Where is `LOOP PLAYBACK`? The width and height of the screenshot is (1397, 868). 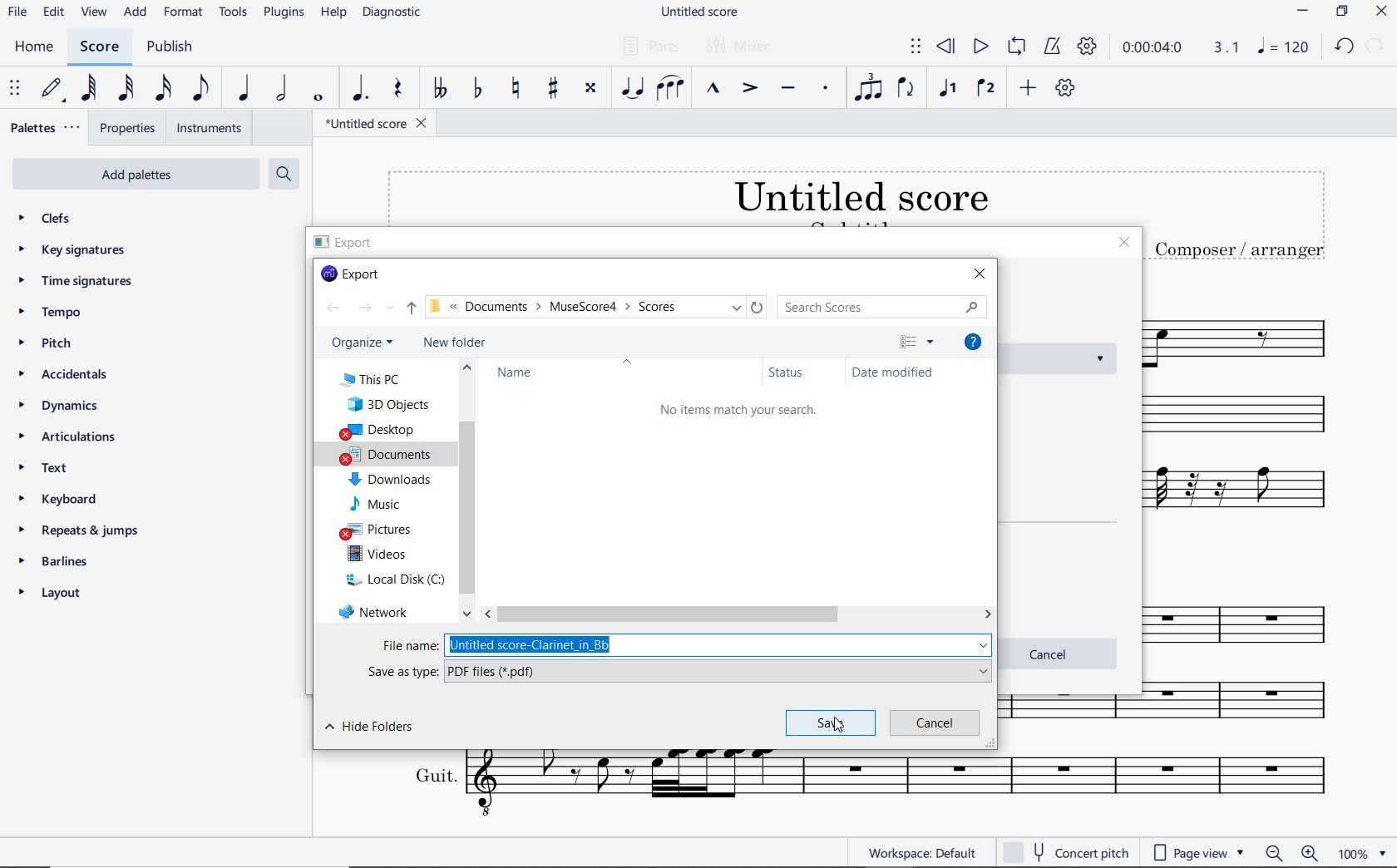 LOOP PLAYBACK is located at coordinates (1015, 48).